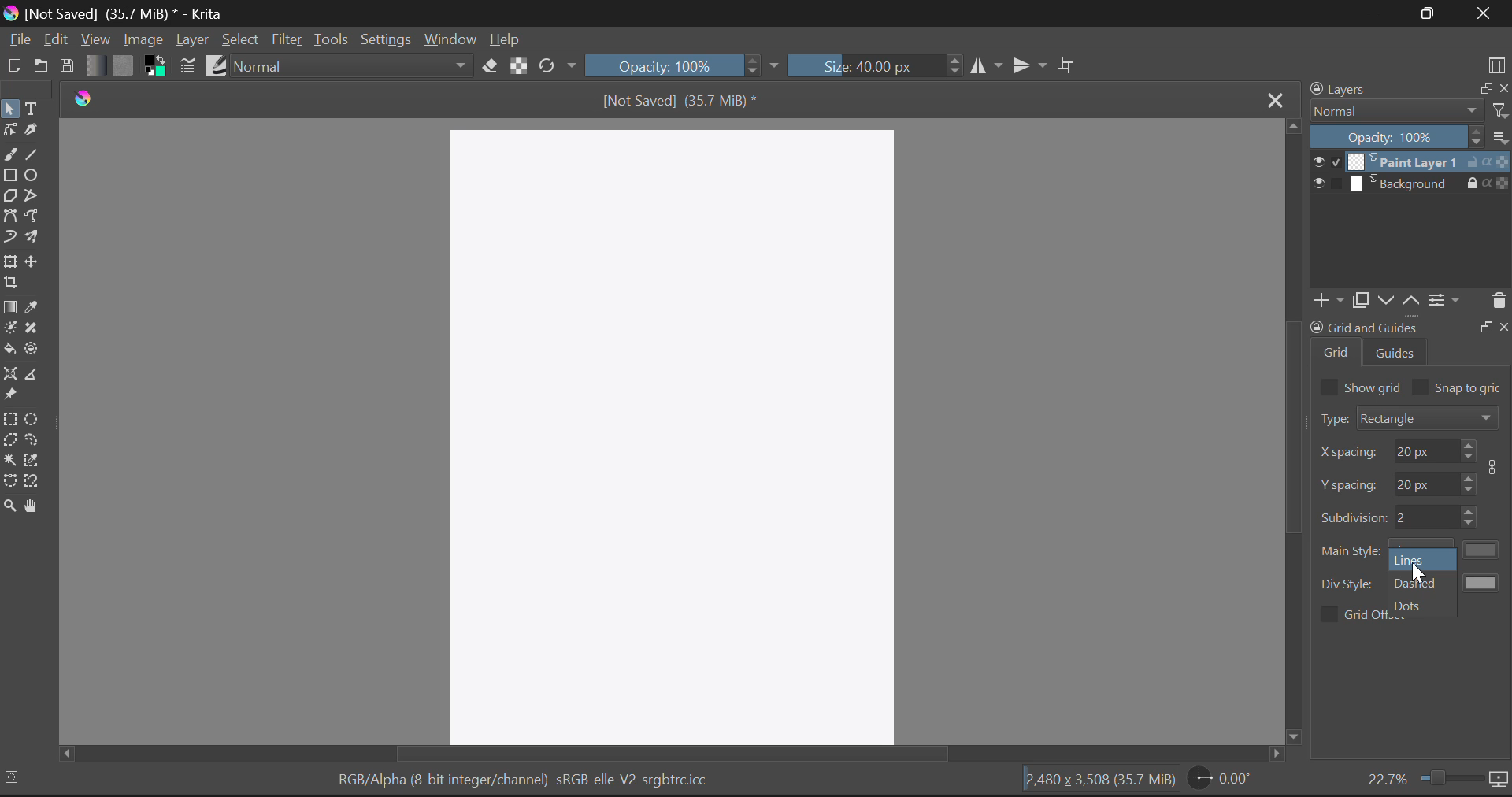 This screenshot has height=797, width=1512. What do you see at coordinates (1488, 161) in the screenshot?
I see `actions` at bounding box center [1488, 161].